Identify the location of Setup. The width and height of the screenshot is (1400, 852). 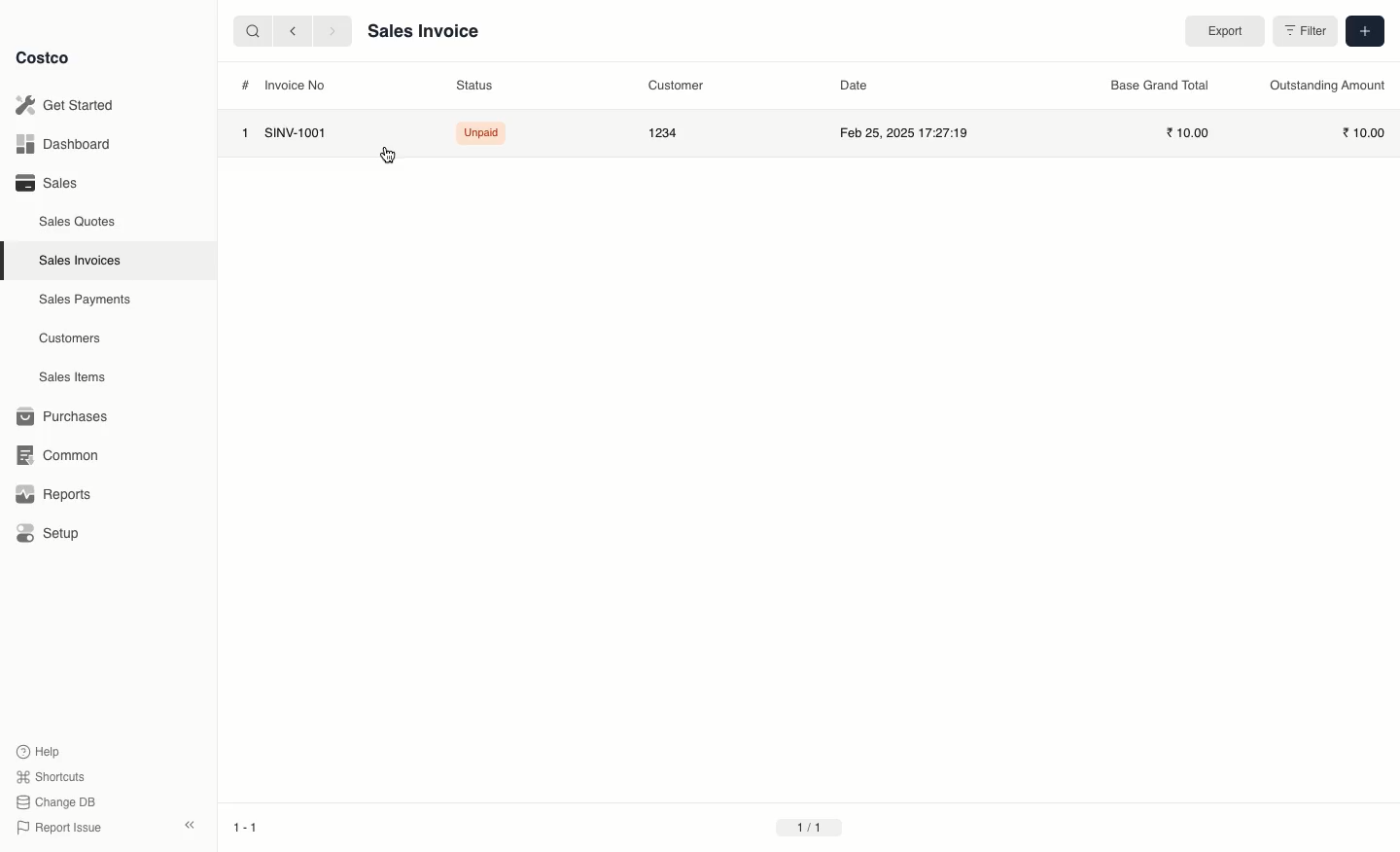
(49, 531).